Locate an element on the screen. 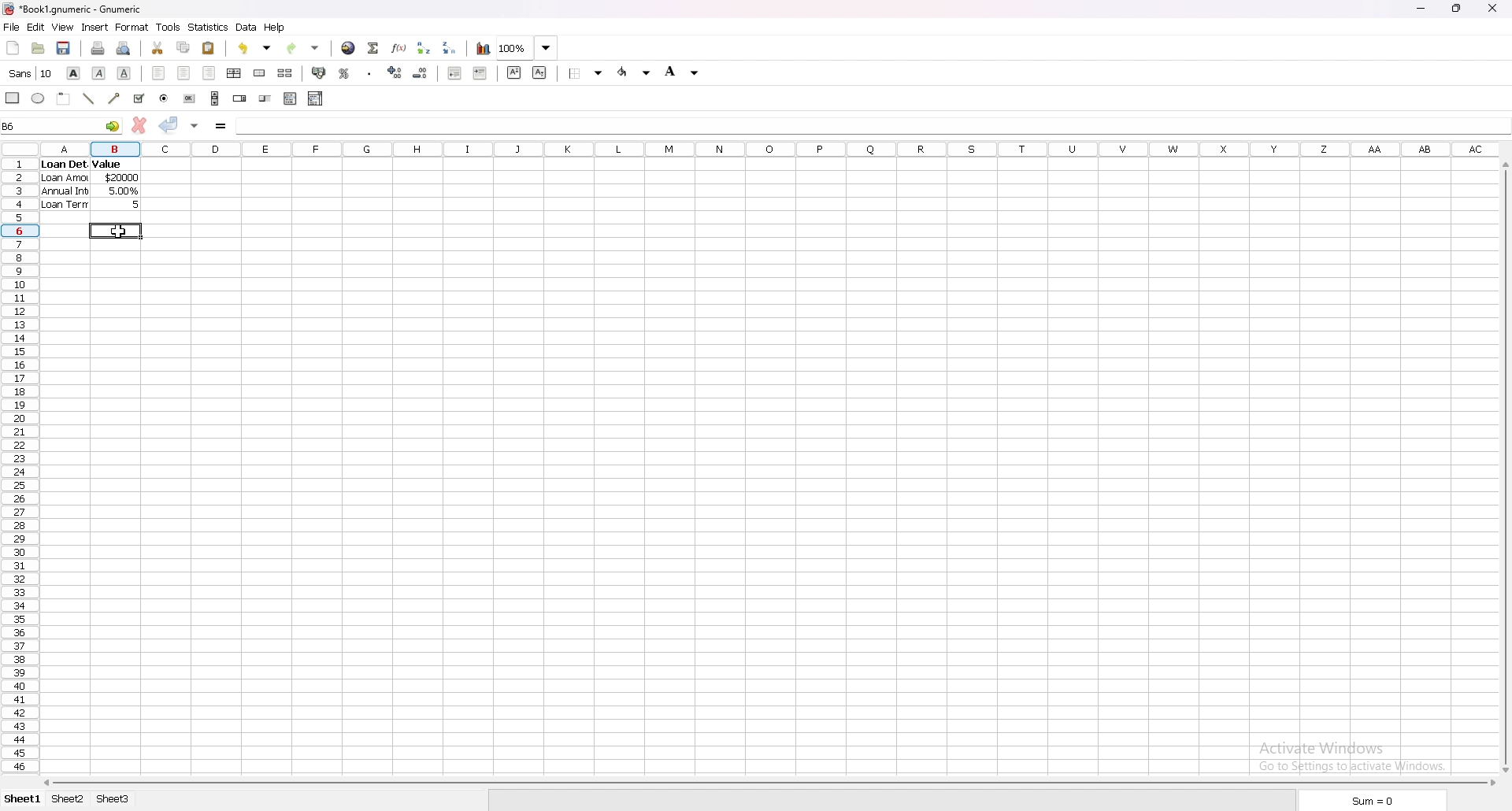  column is located at coordinates (769, 147).